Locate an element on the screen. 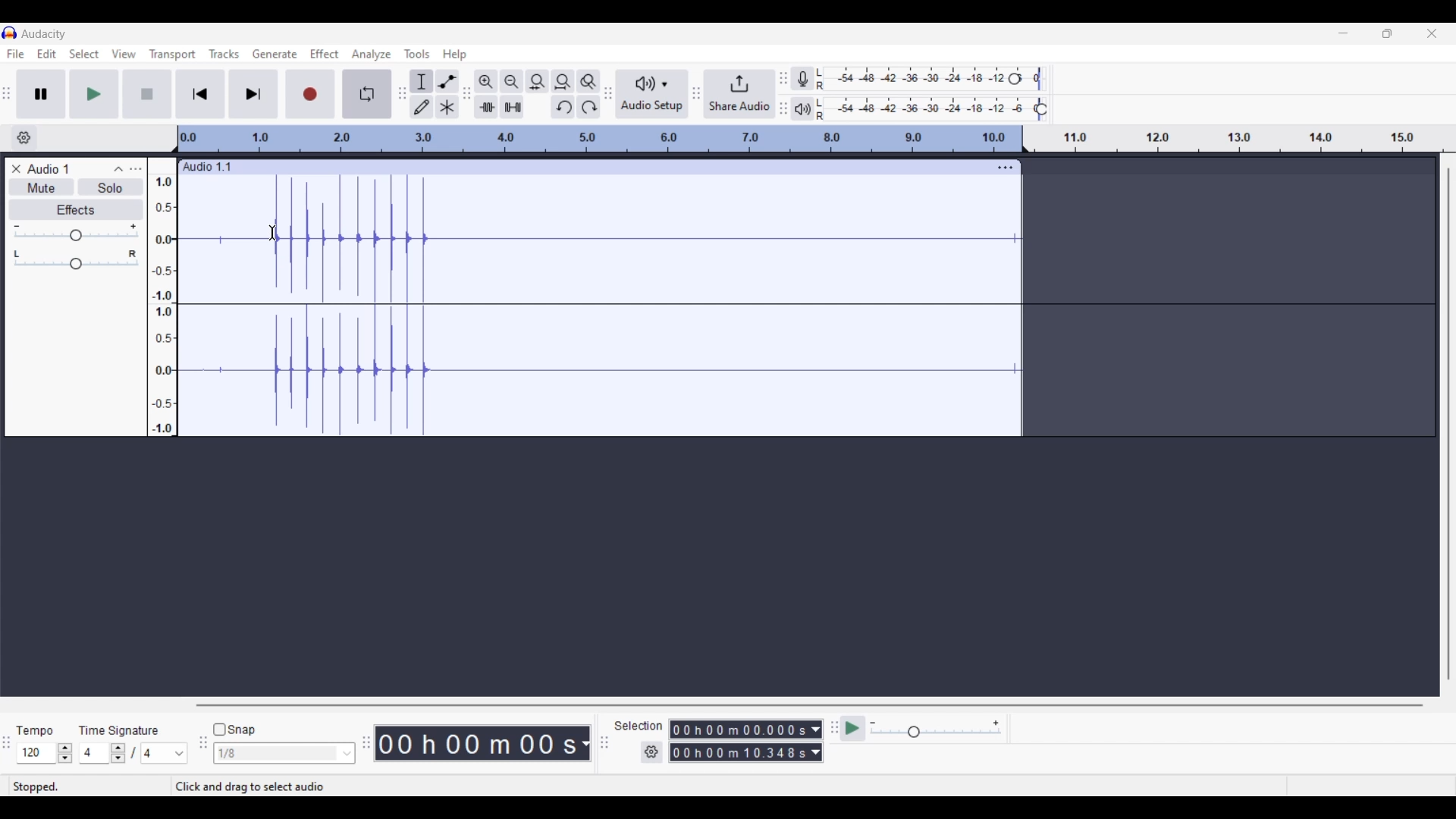 The width and height of the screenshot is (1456, 819). Recording level header is located at coordinates (1015, 79).